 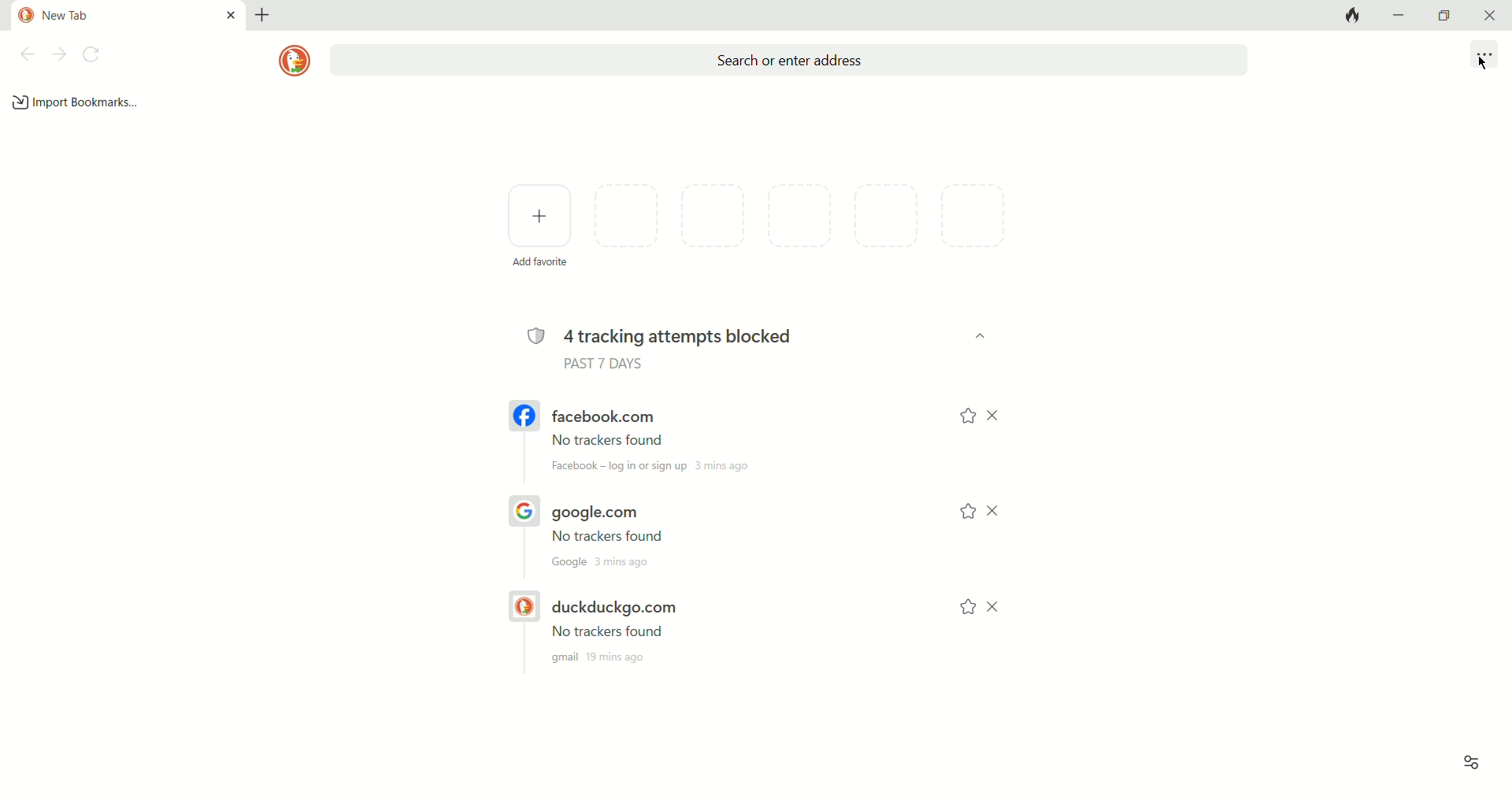 I want to click on logo, so click(x=290, y=61).